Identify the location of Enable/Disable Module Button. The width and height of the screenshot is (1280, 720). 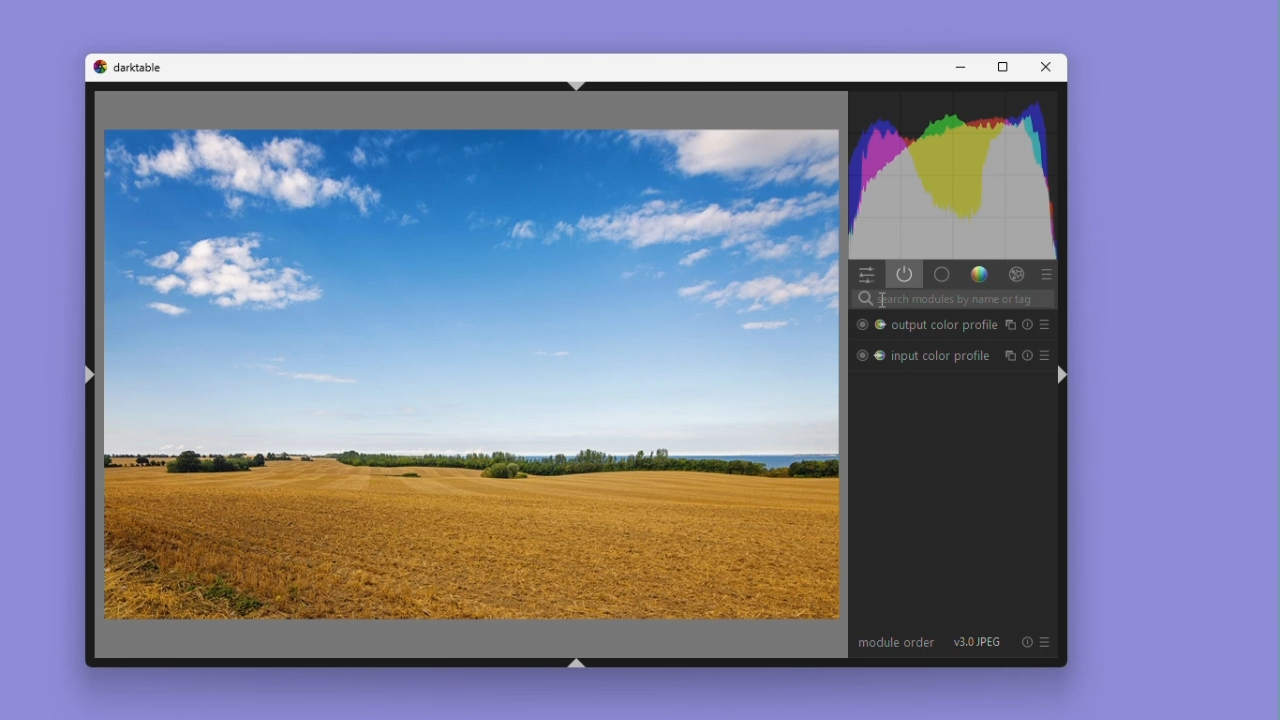
(861, 325).